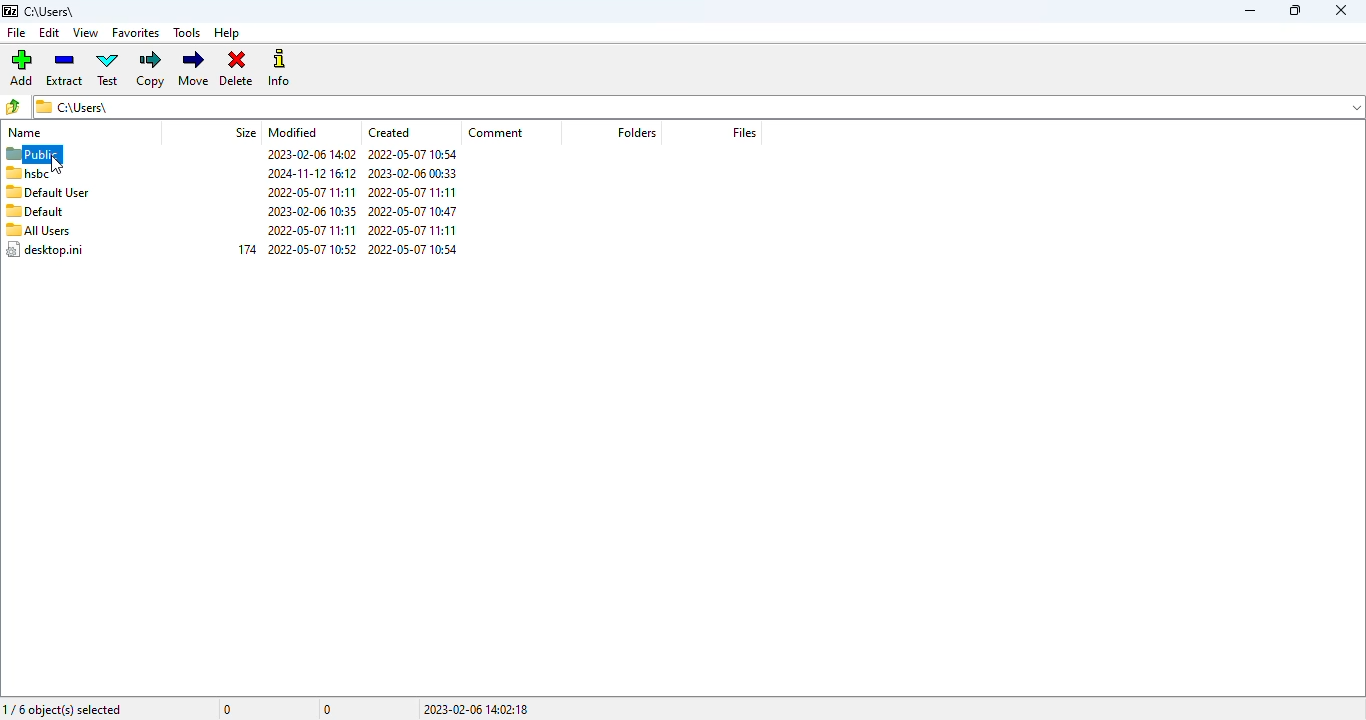 This screenshot has height=720, width=1366. What do you see at coordinates (478, 708) in the screenshot?
I see `2023-02-06 14:02:18` at bounding box center [478, 708].